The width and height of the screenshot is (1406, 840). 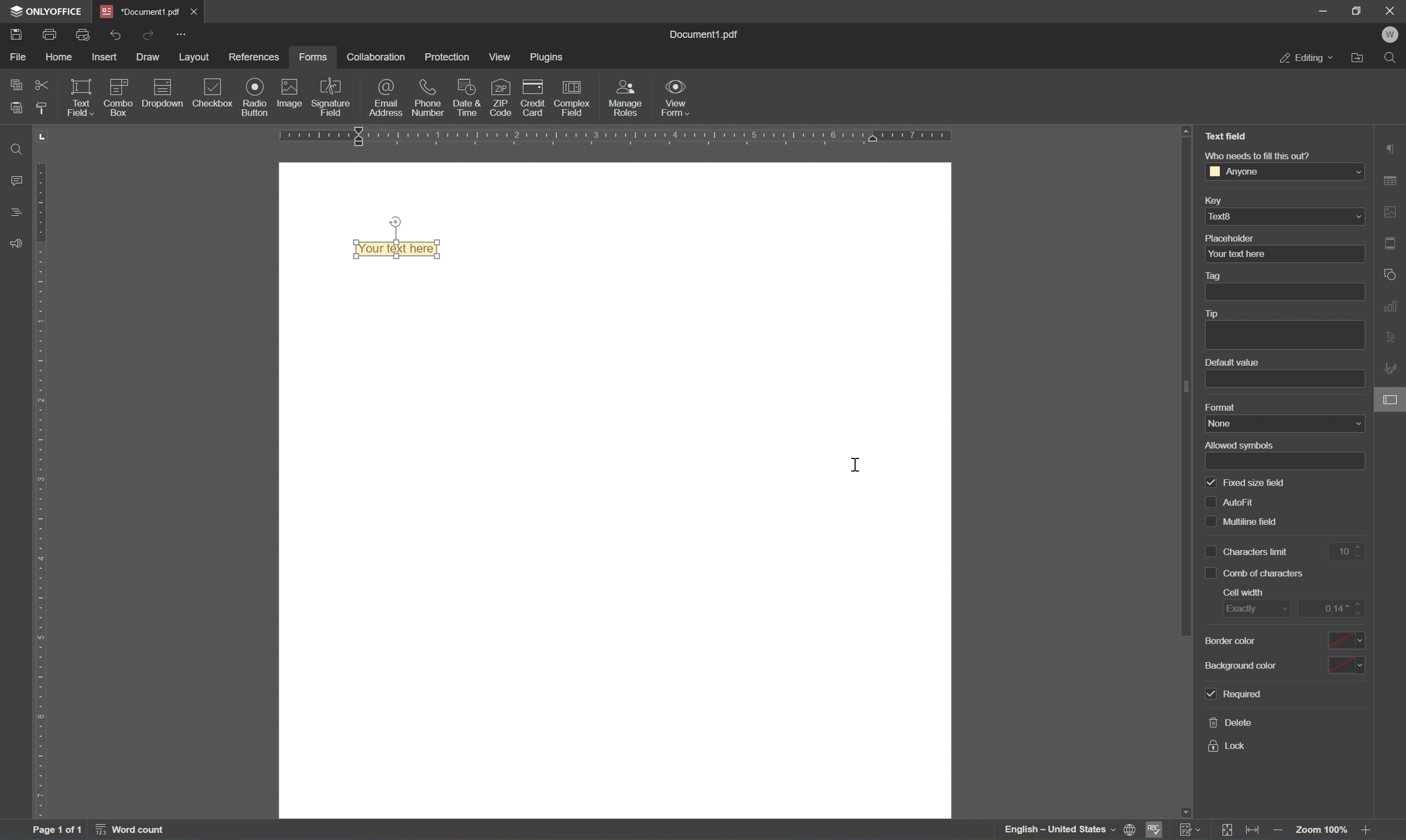 I want to click on zoom out, so click(x=1277, y=832).